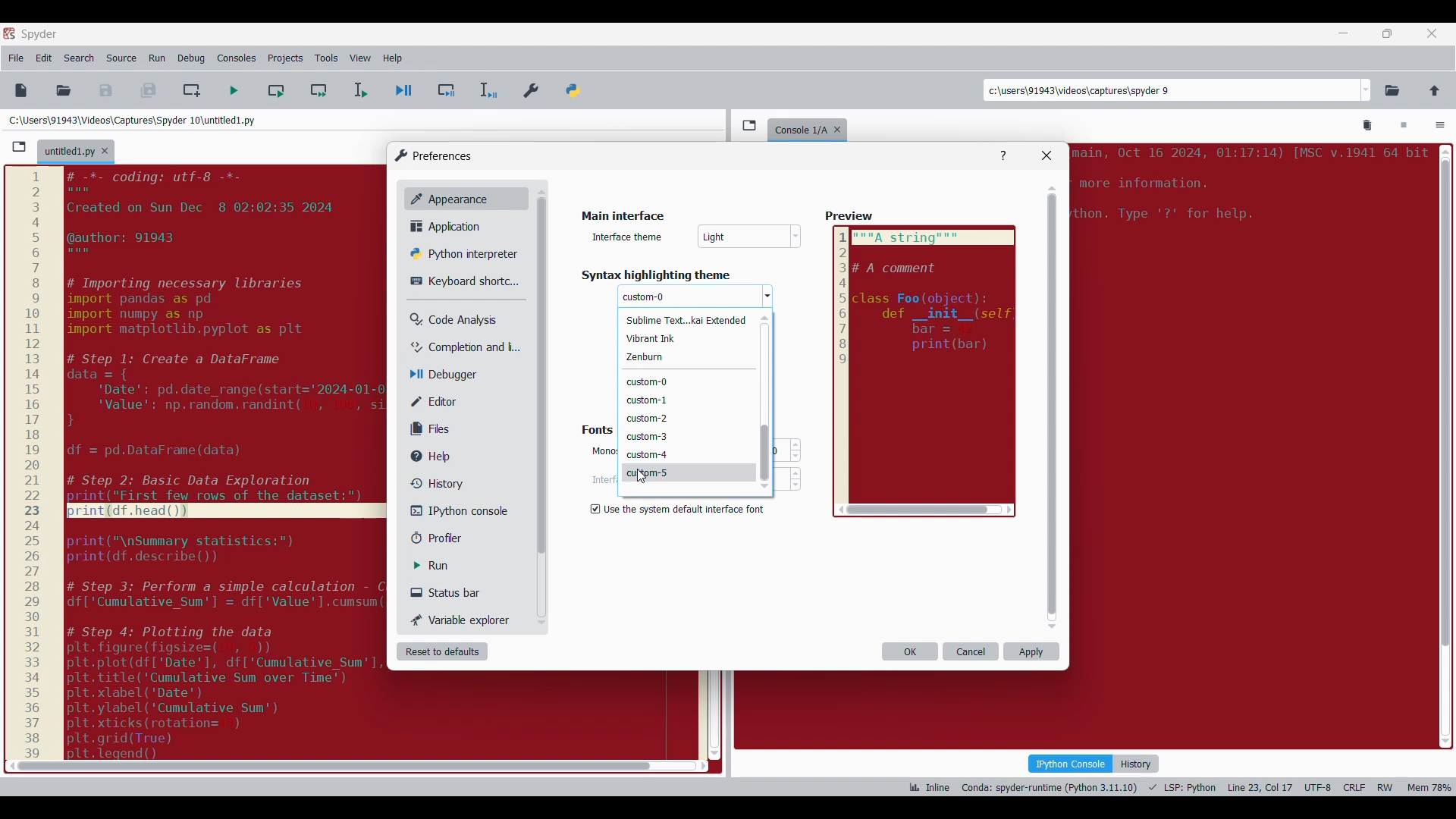 The width and height of the screenshot is (1456, 819). What do you see at coordinates (698, 275) in the screenshot?
I see `Respective section title` at bounding box center [698, 275].